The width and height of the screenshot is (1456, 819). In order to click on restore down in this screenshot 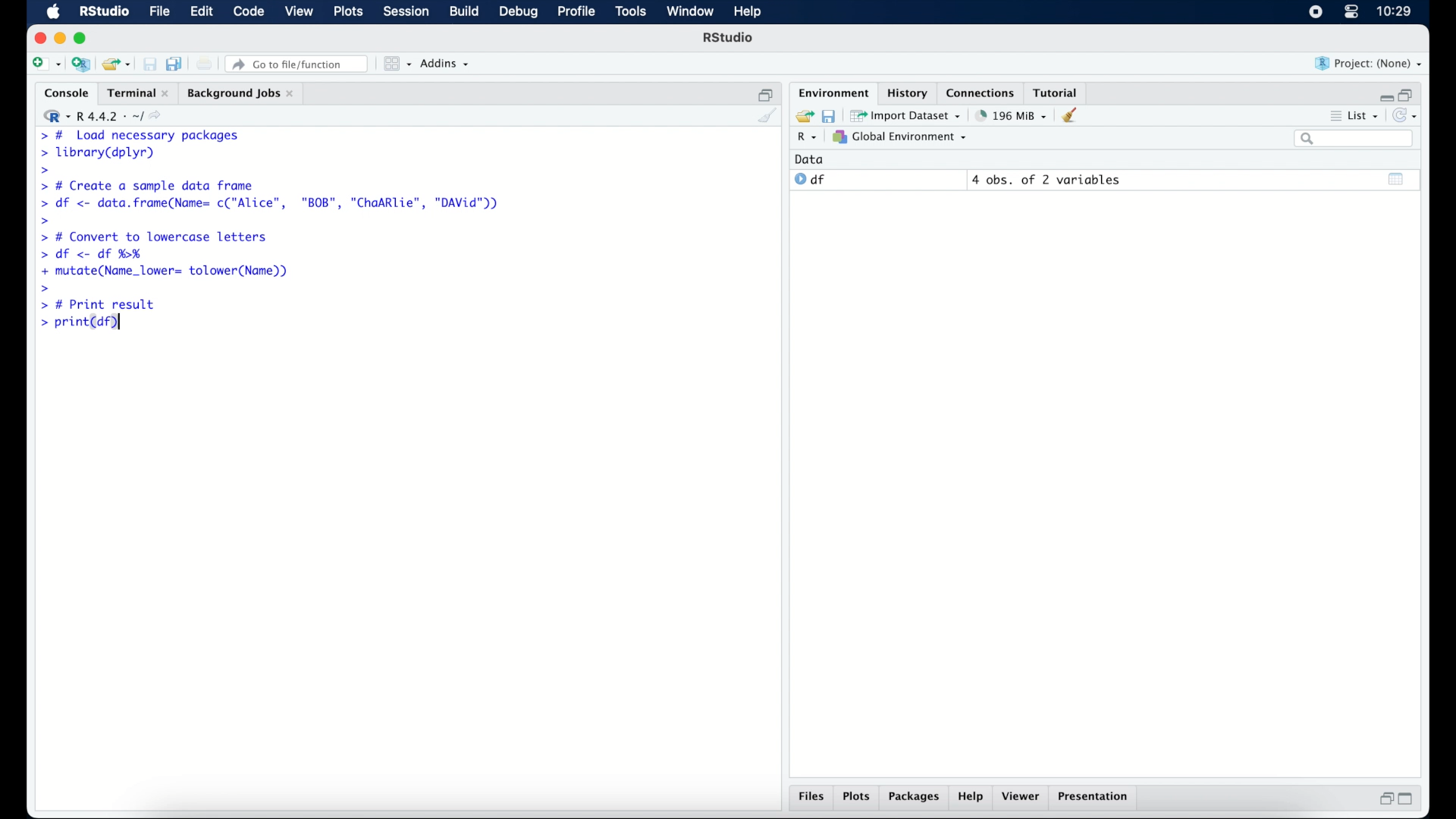, I will do `click(1409, 93)`.